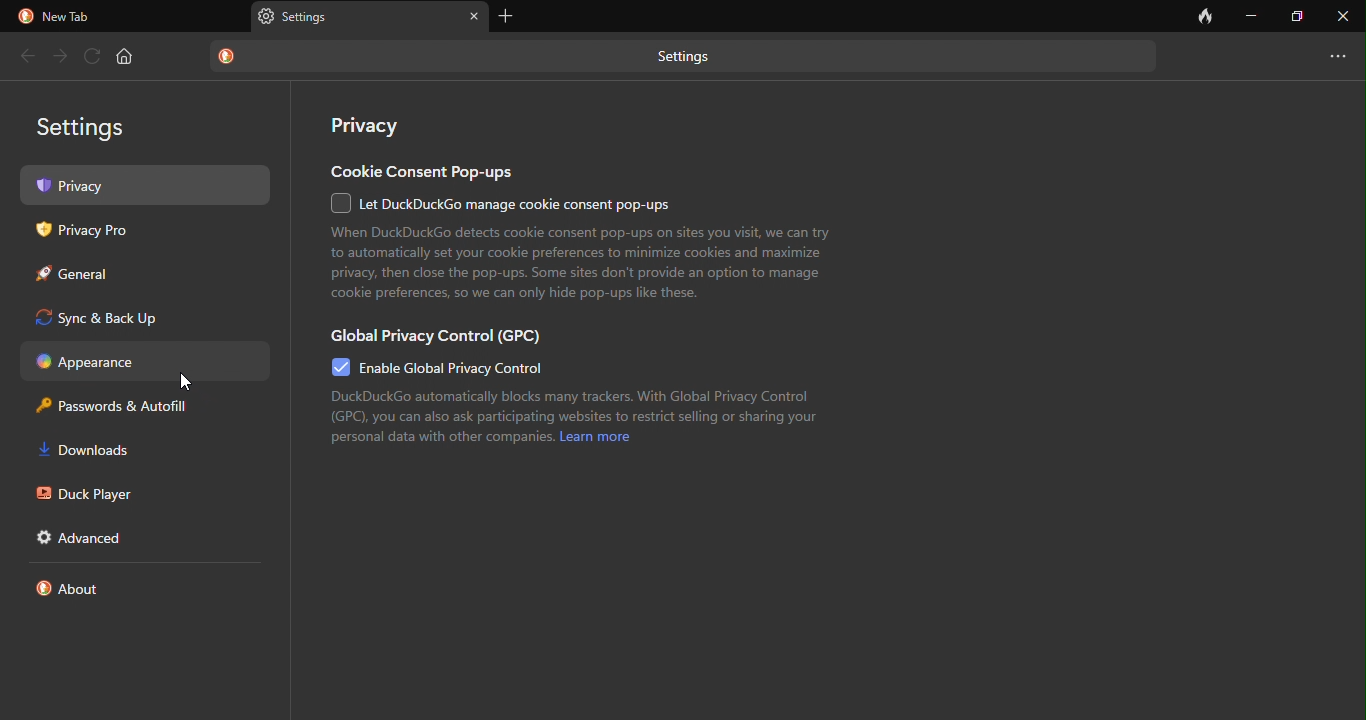 This screenshot has width=1366, height=720. Describe the element at coordinates (123, 408) in the screenshot. I see `password and autofill` at that location.